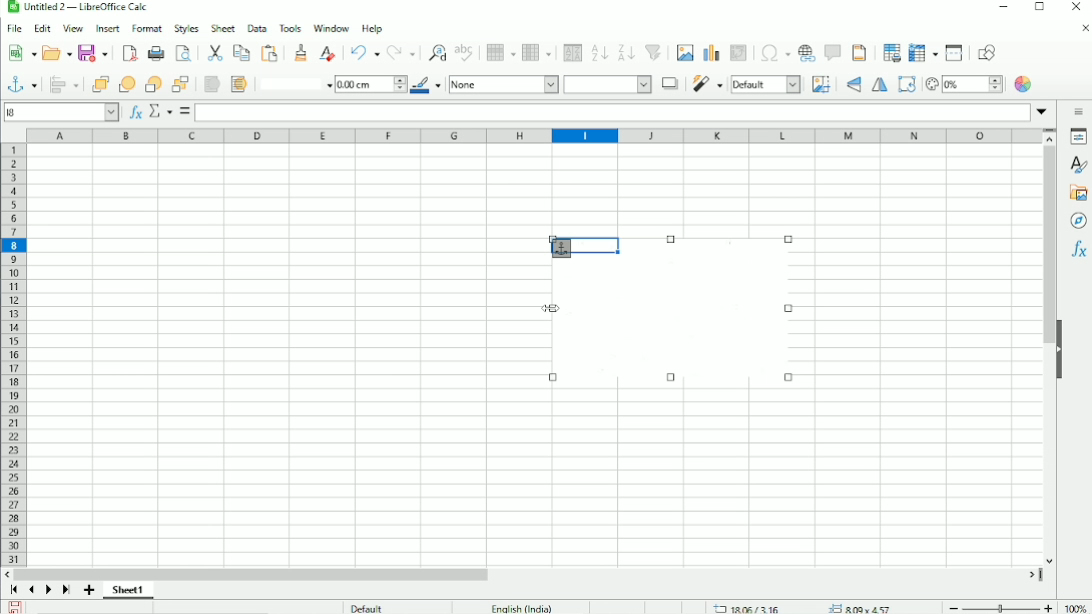 This screenshot has width=1092, height=614. What do you see at coordinates (880, 86) in the screenshot?
I see `Flip horizontally` at bounding box center [880, 86].